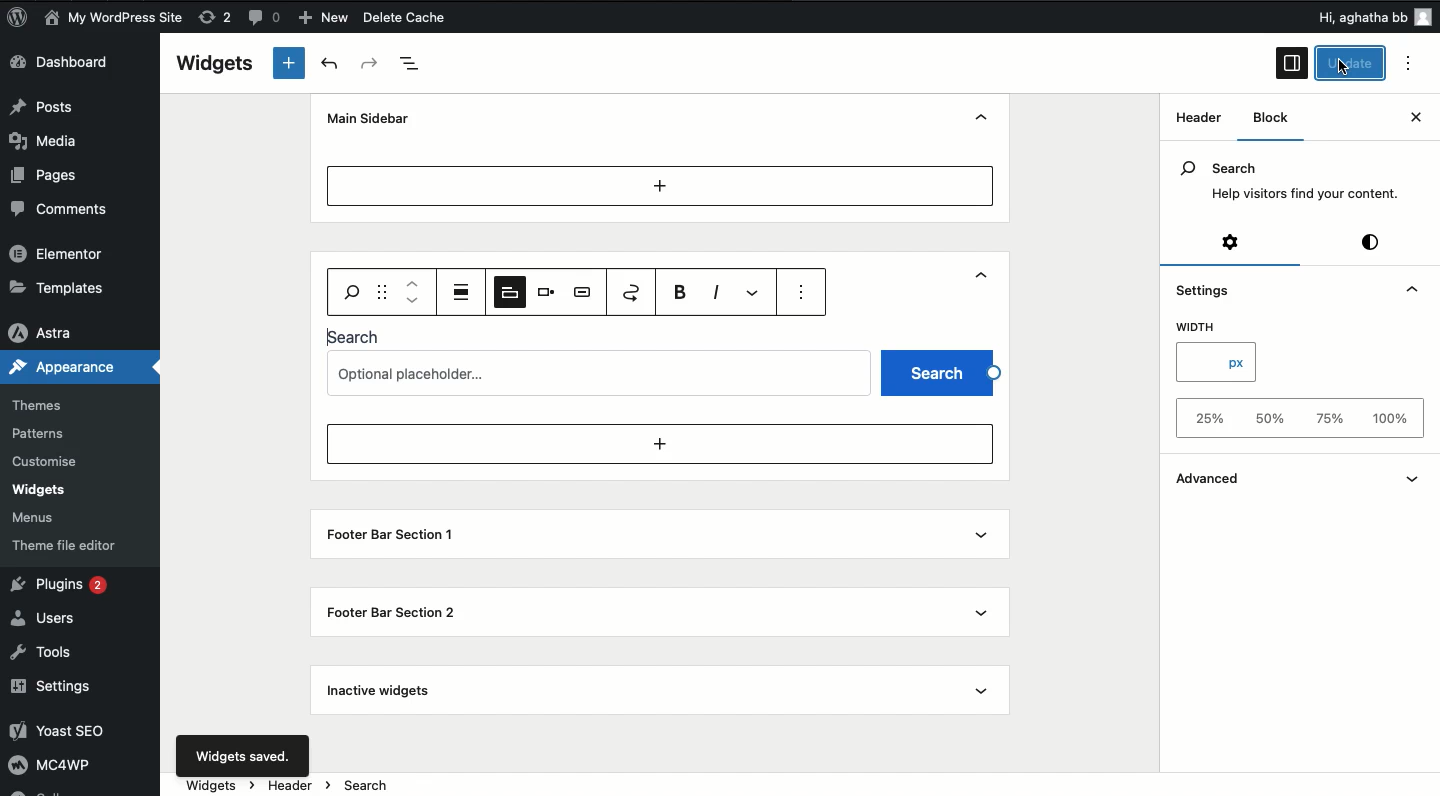  Describe the element at coordinates (267, 20) in the screenshot. I see `` at that location.